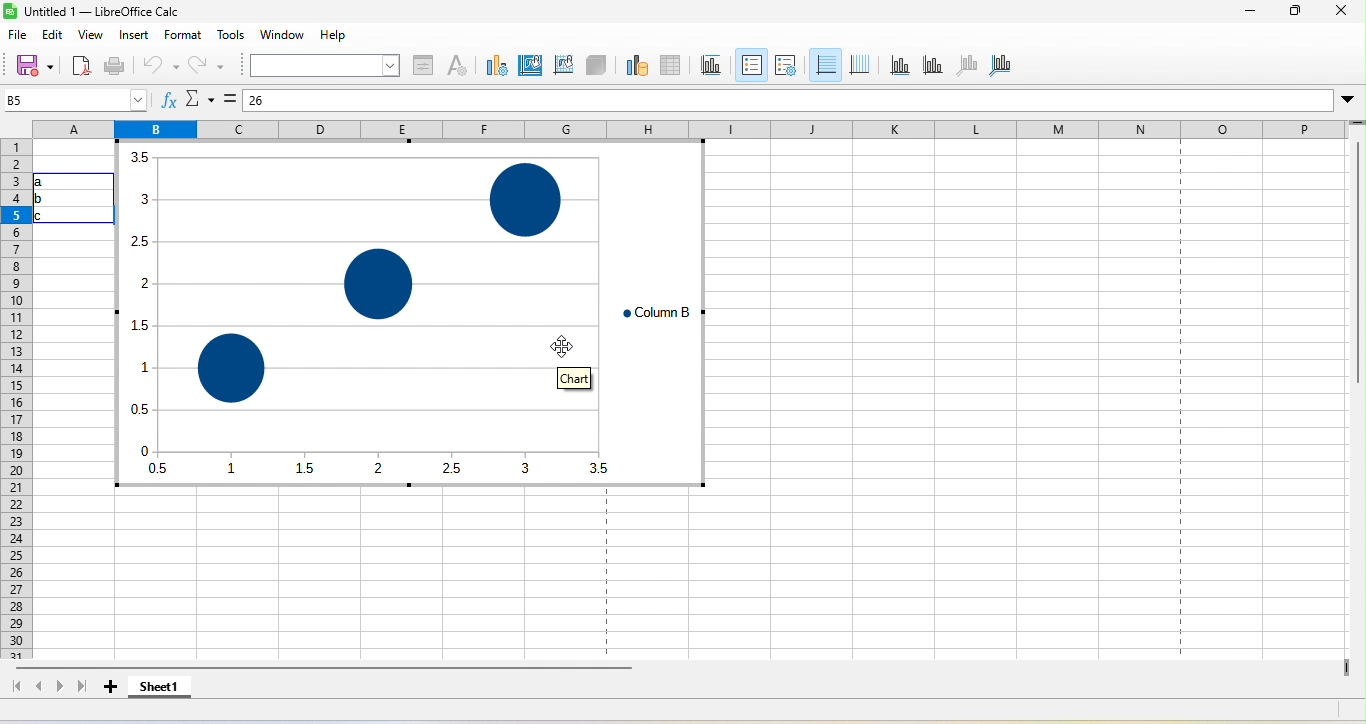 Image resolution: width=1366 pixels, height=724 pixels. Describe the element at coordinates (786, 67) in the screenshot. I see `legends` at that location.